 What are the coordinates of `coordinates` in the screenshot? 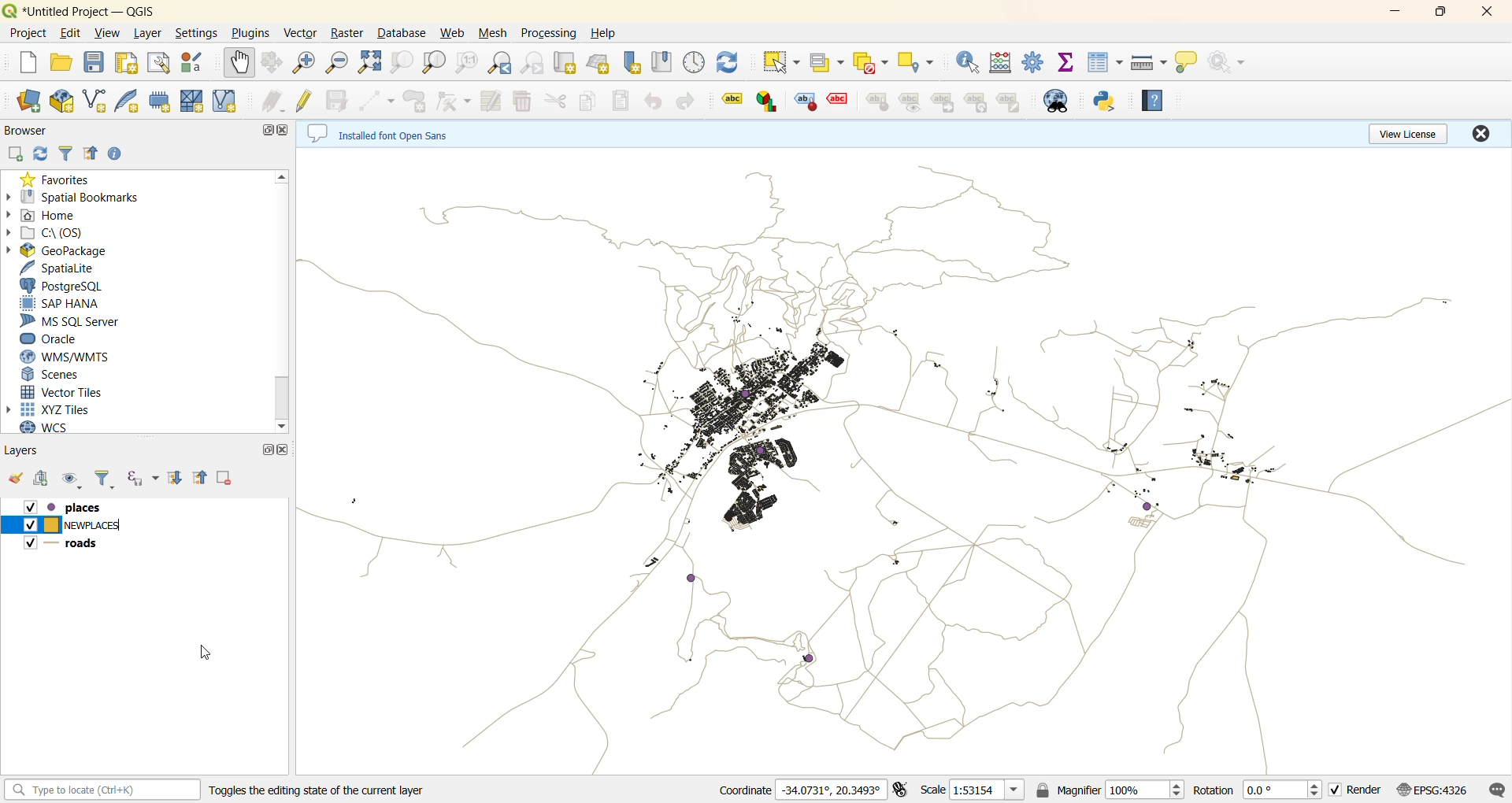 It's located at (799, 790).